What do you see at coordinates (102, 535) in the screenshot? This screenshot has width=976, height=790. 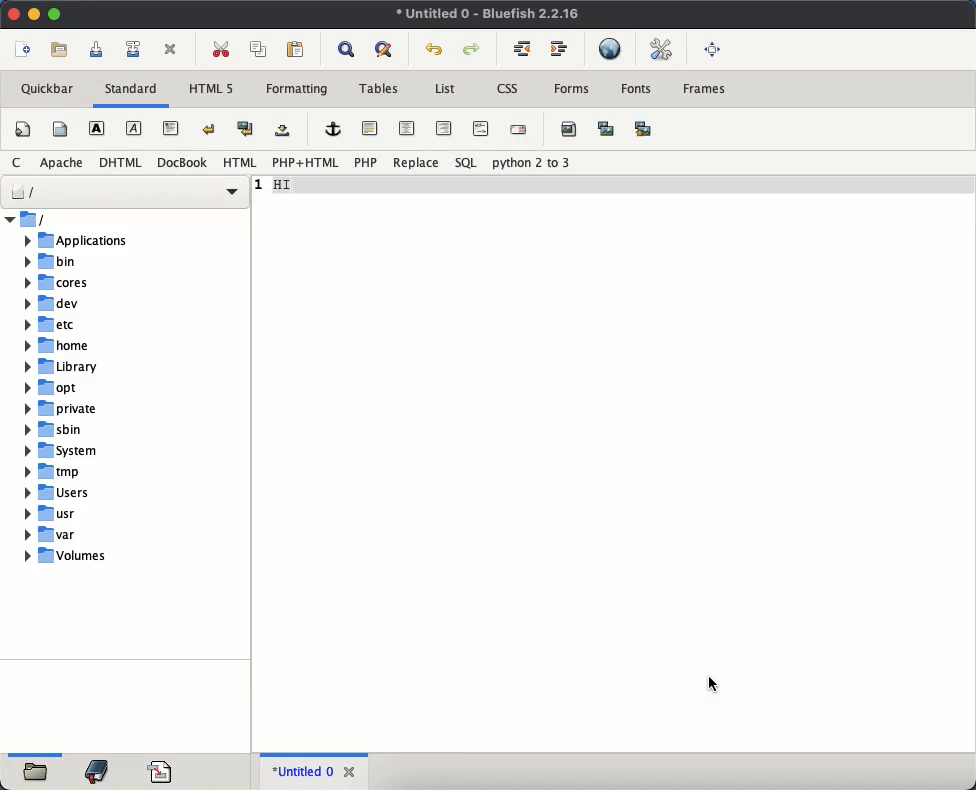 I see `var` at bounding box center [102, 535].